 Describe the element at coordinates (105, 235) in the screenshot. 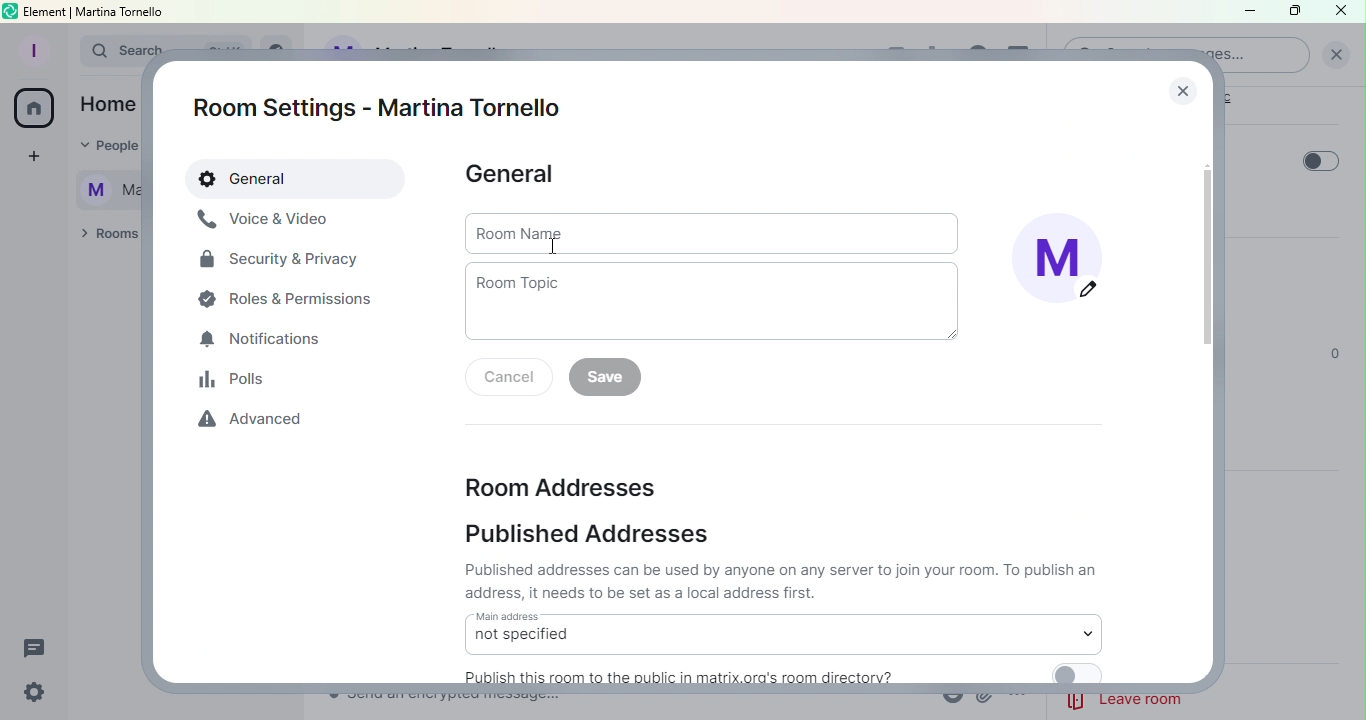

I see `Rooms` at that location.